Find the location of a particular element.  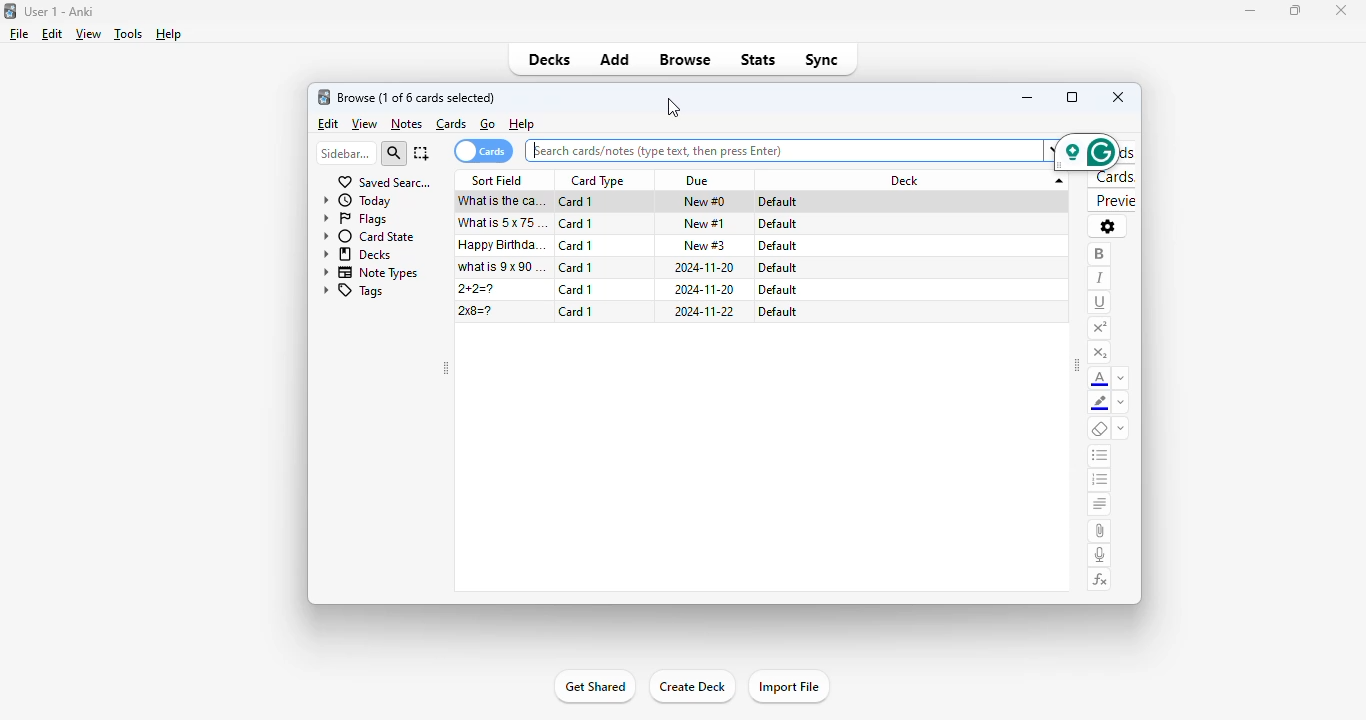

file is located at coordinates (20, 34).